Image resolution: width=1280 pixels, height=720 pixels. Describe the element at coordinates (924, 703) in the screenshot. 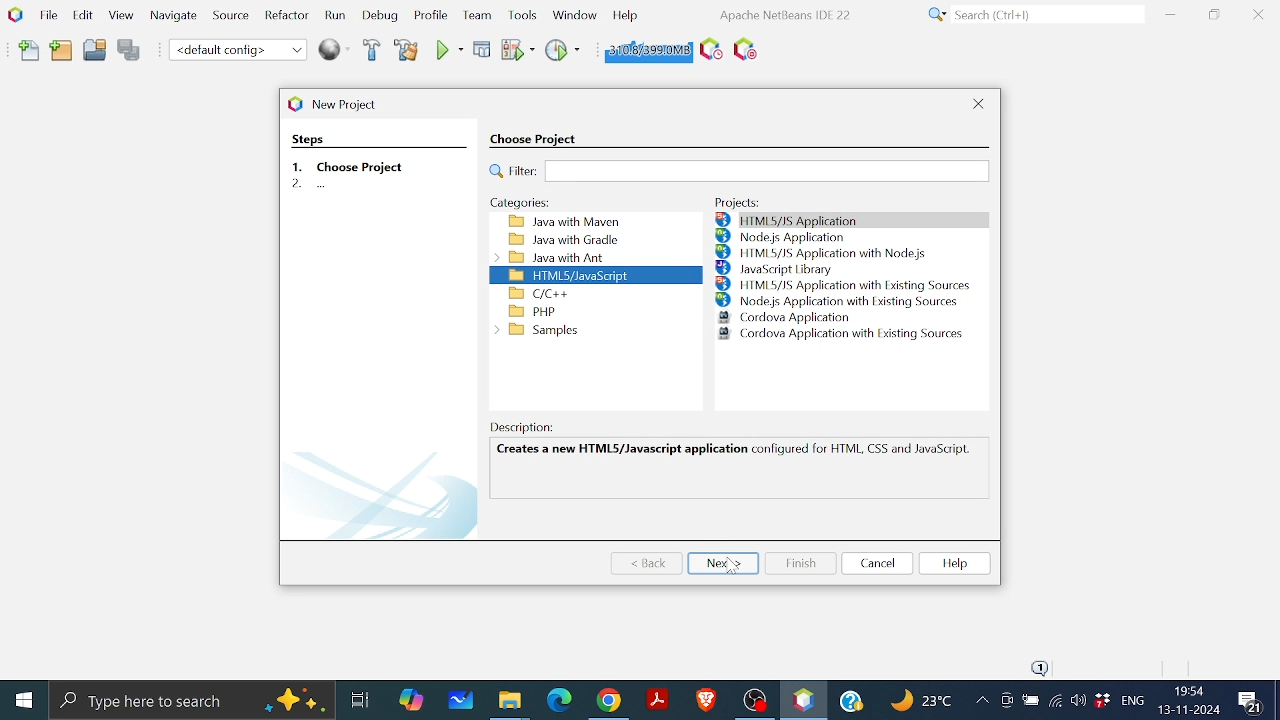

I see `Weather` at that location.